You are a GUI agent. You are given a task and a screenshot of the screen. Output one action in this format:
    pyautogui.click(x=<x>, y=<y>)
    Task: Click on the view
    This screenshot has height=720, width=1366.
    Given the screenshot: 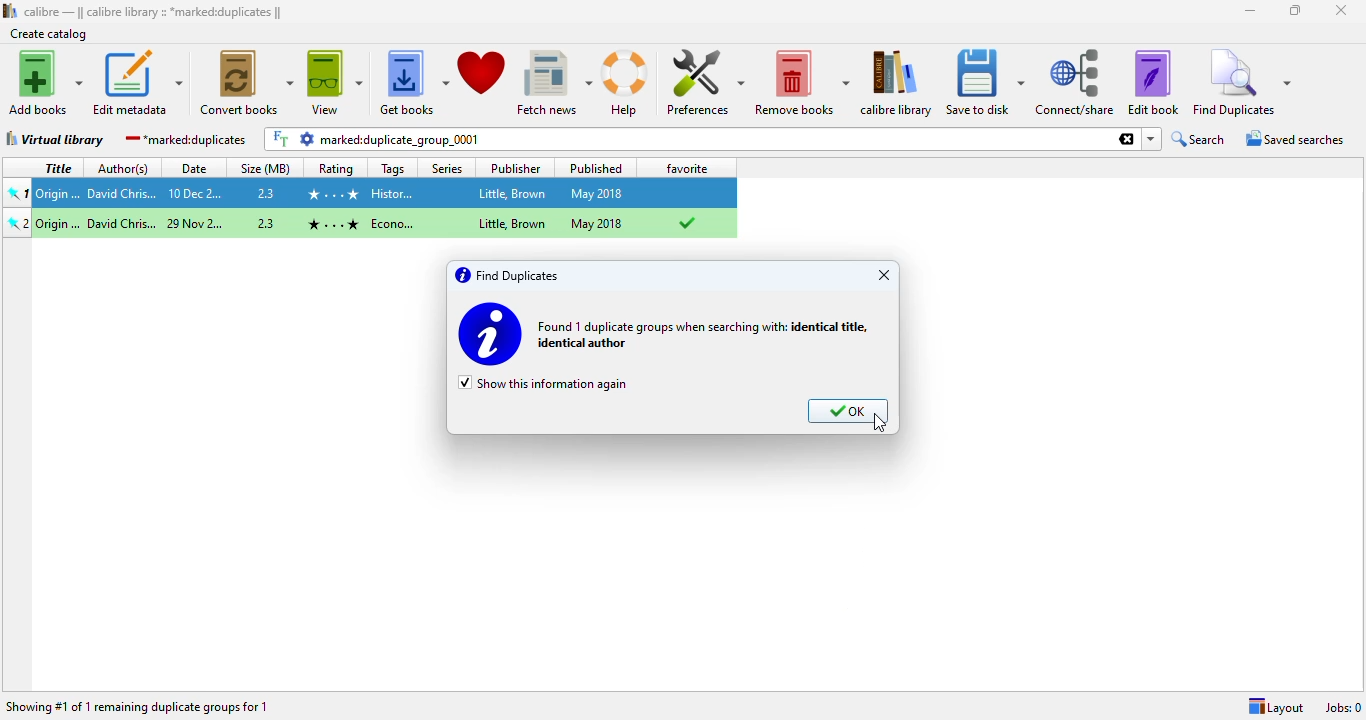 What is the action you would take?
    pyautogui.click(x=334, y=82)
    